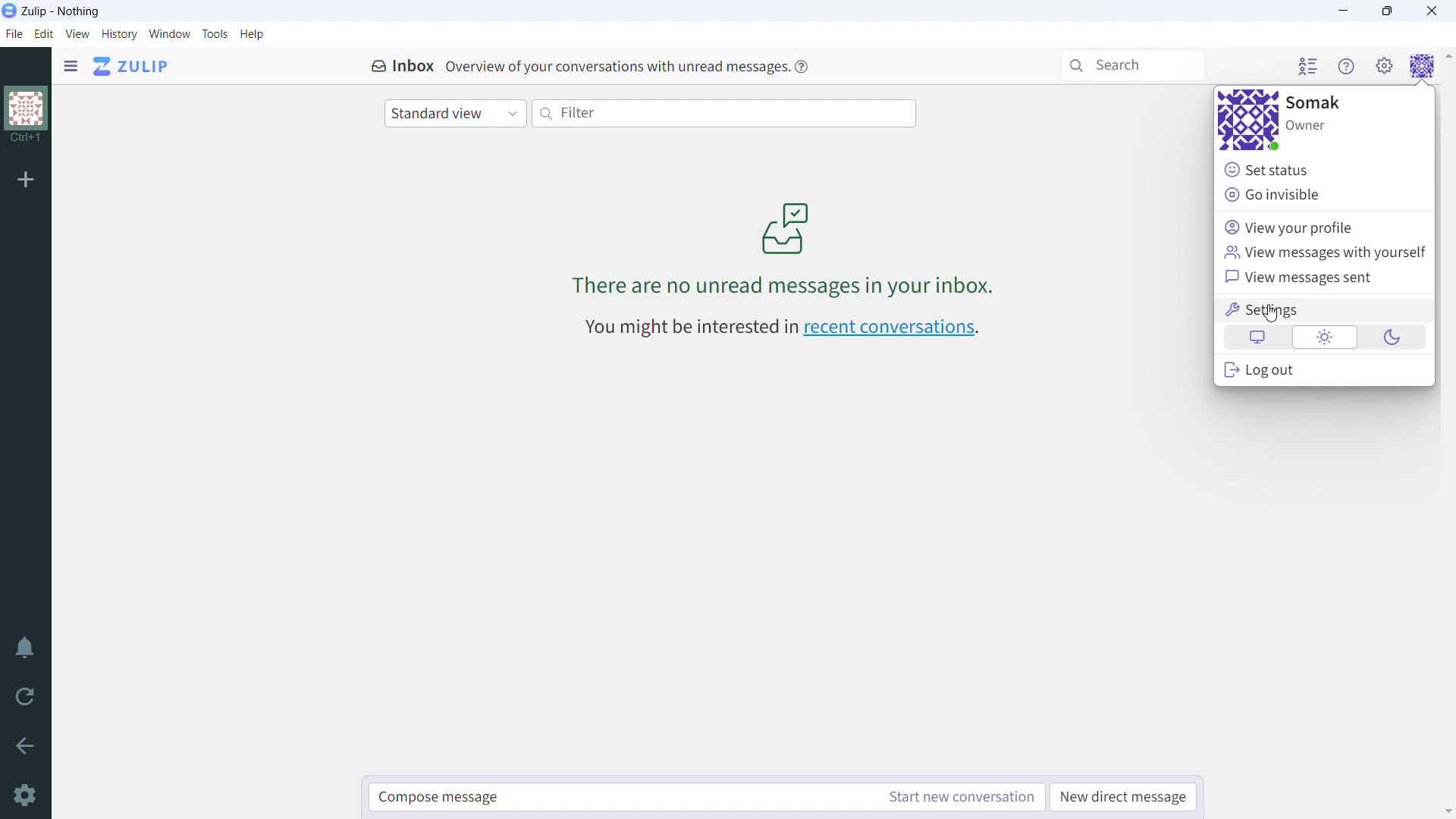 This screenshot has height=819, width=1456. I want to click on go invisible, so click(1324, 196).